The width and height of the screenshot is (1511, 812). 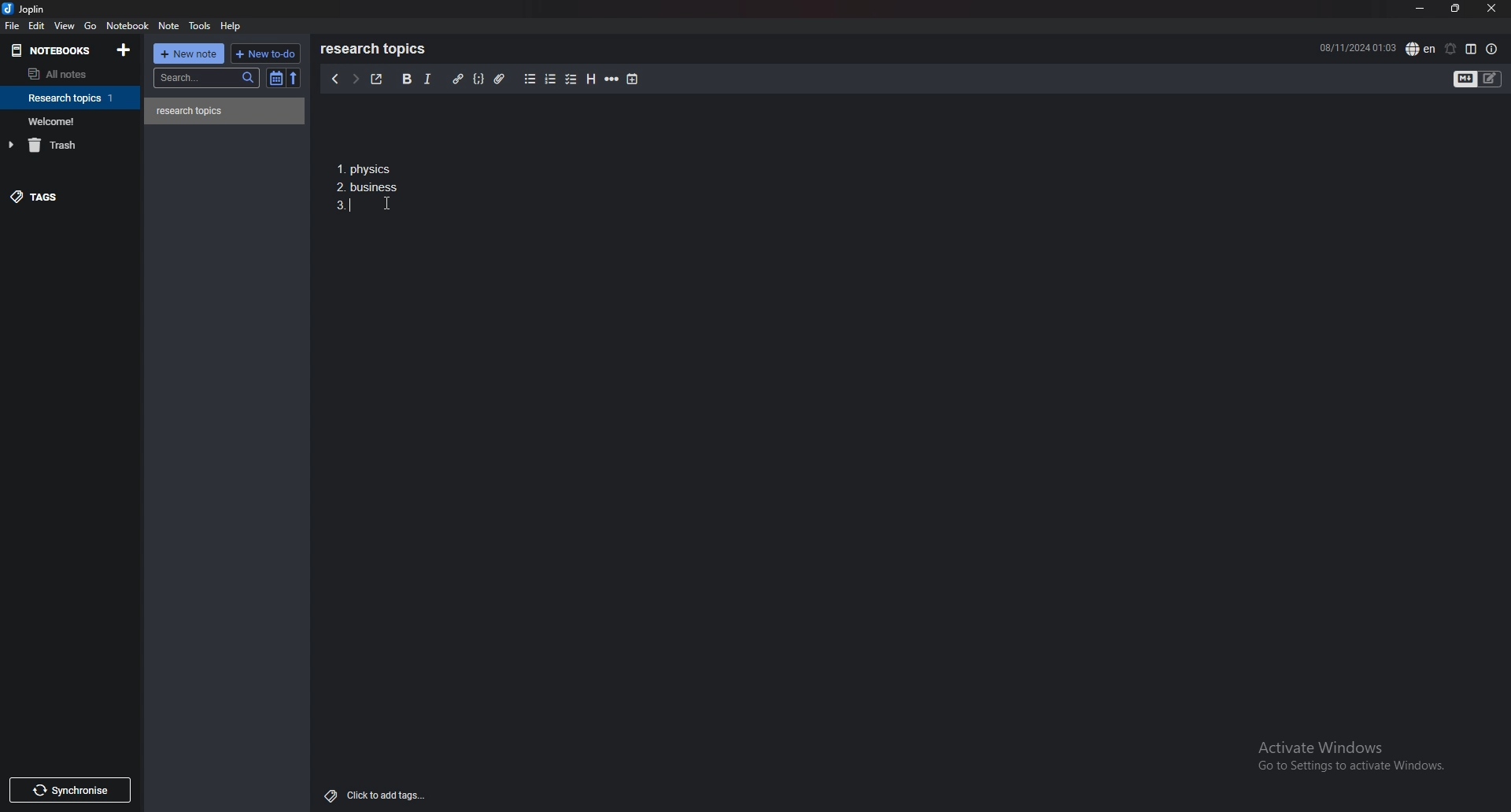 What do you see at coordinates (225, 111) in the screenshot?
I see `note` at bounding box center [225, 111].